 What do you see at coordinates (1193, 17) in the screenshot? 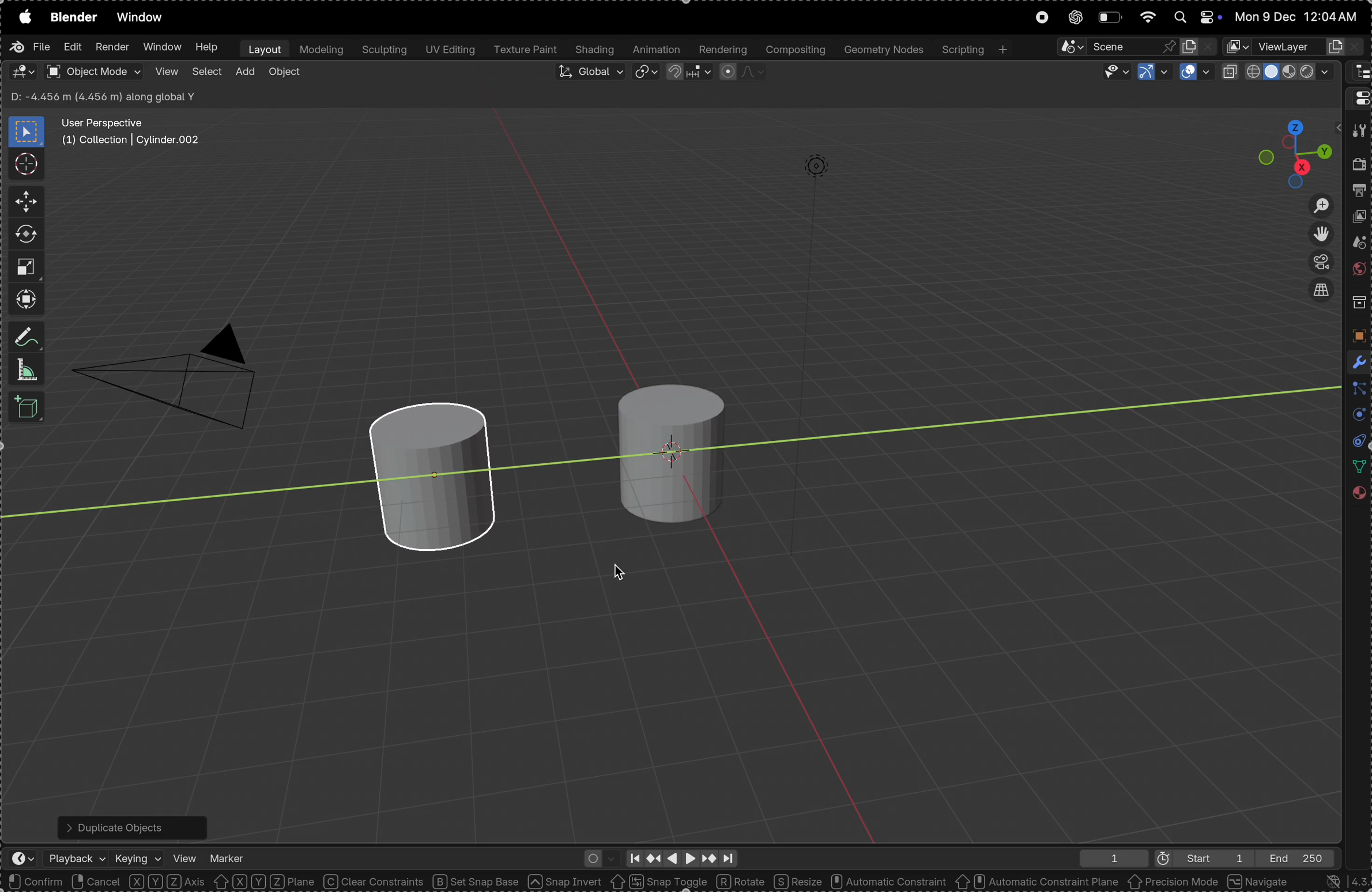
I see `apple widgets` at bounding box center [1193, 17].